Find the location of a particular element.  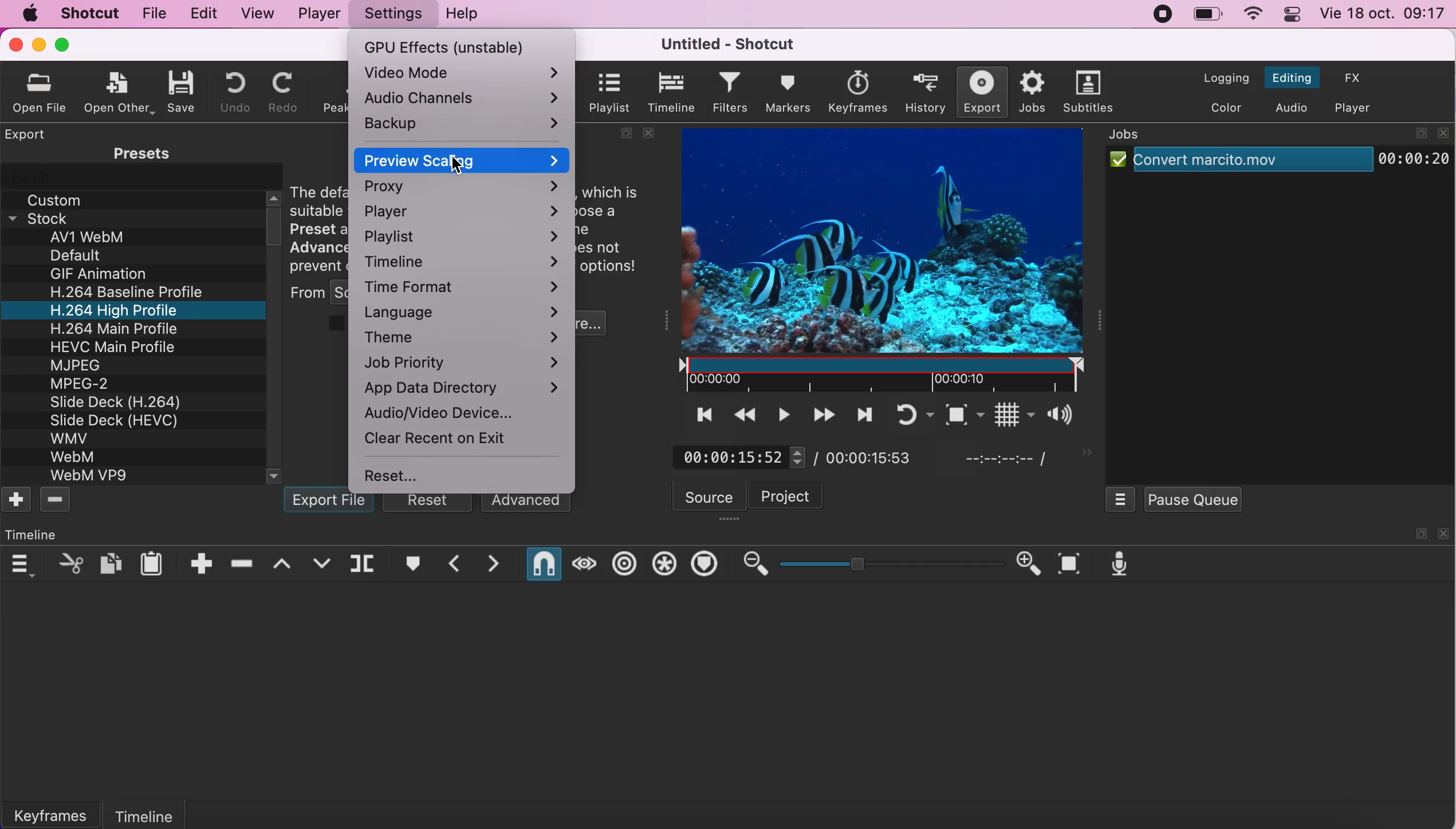

H 264 Main Profile is located at coordinates (110, 327).